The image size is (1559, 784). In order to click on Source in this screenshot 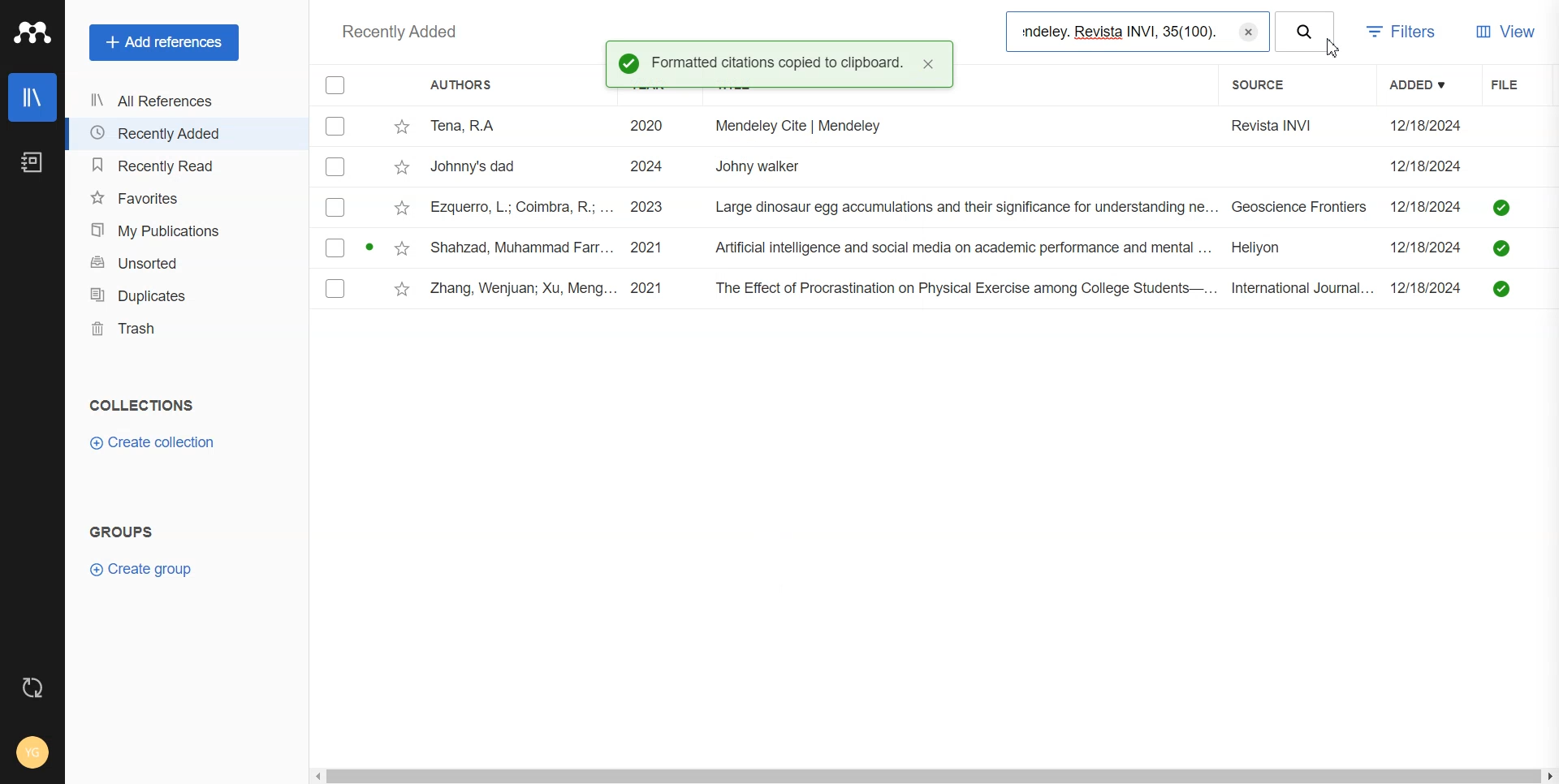, I will do `click(1268, 86)`.